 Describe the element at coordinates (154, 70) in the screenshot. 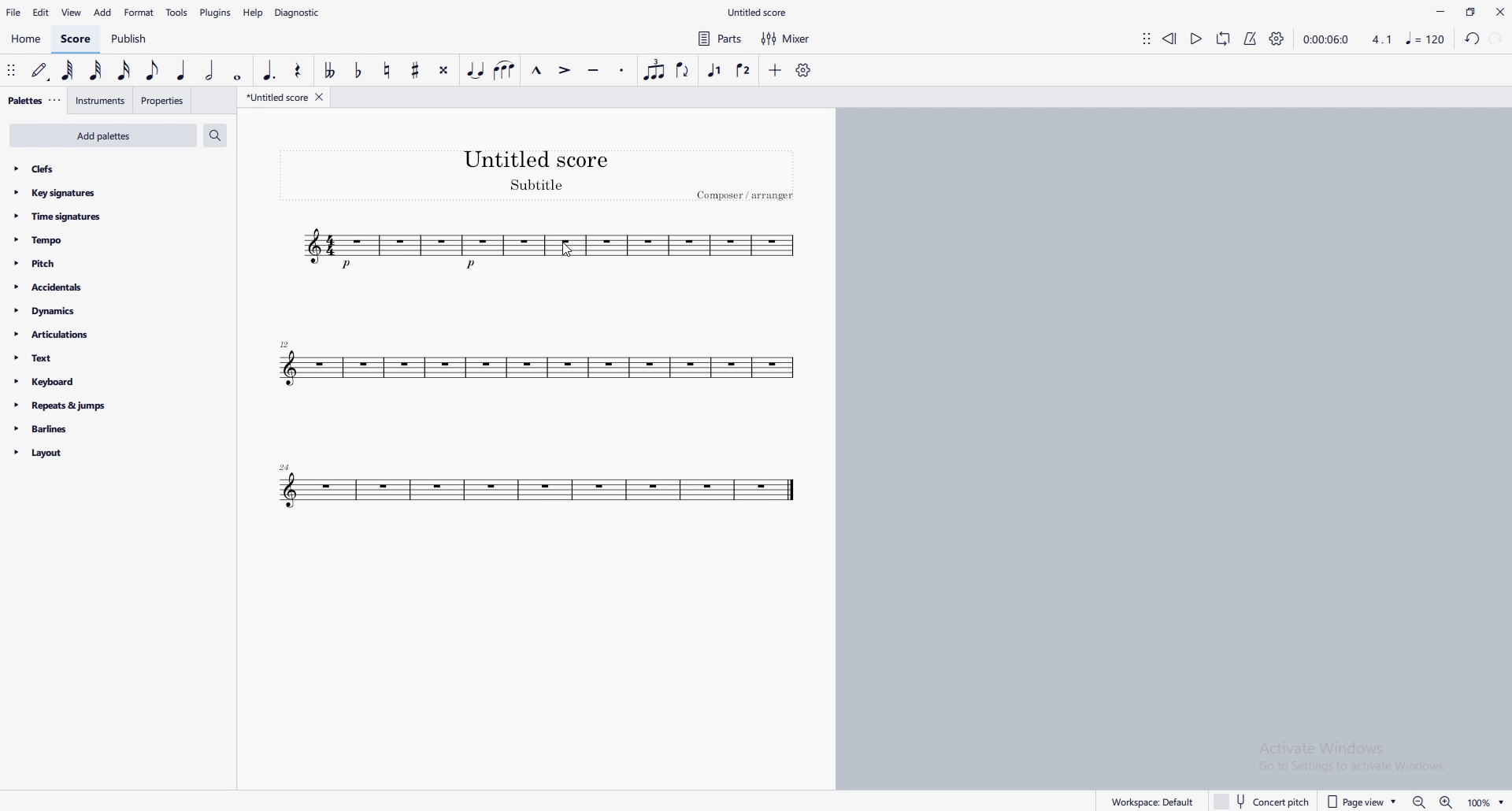

I see `eighth note` at that location.